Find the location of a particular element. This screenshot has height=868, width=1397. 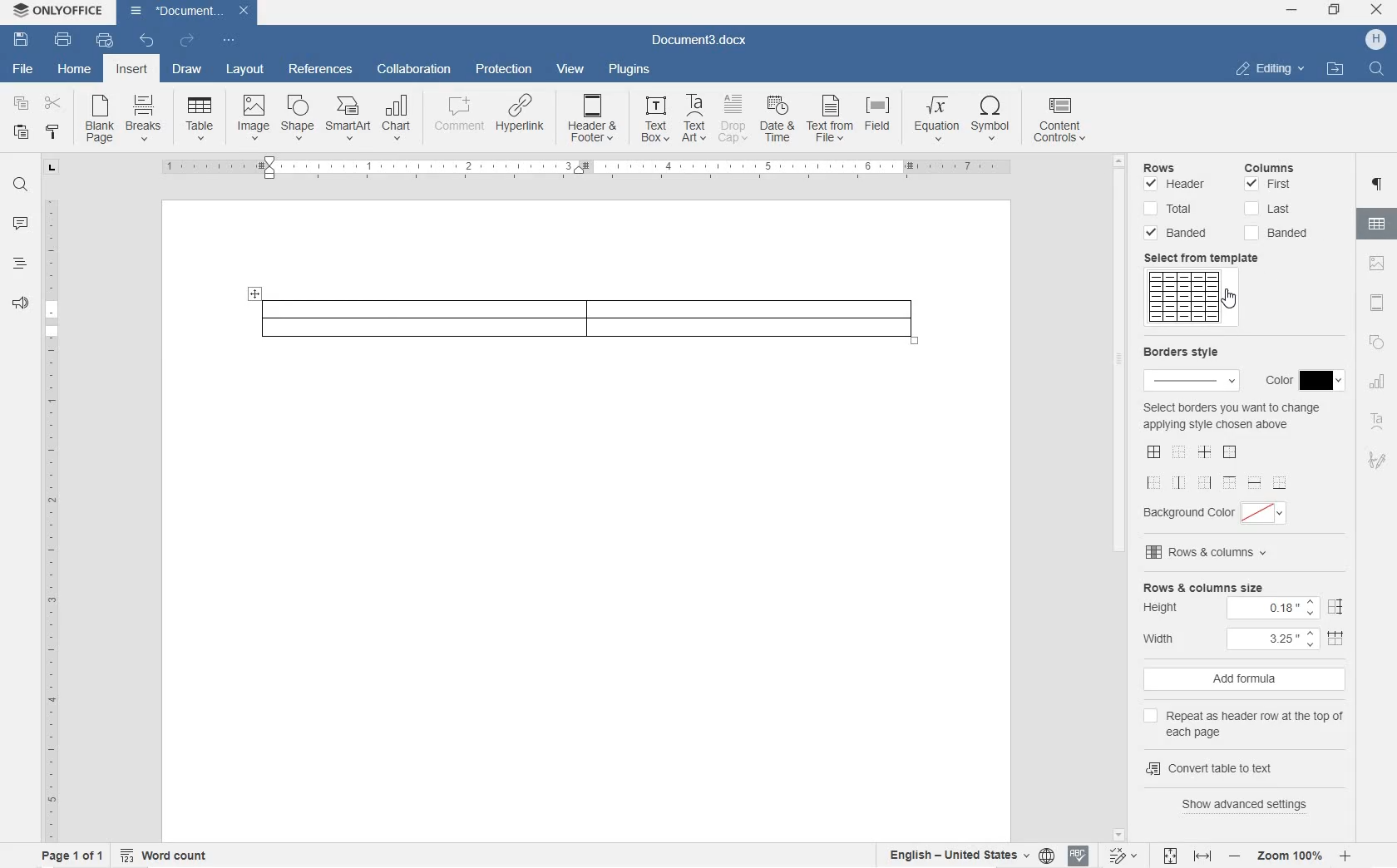

Image is located at coordinates (254, 116).